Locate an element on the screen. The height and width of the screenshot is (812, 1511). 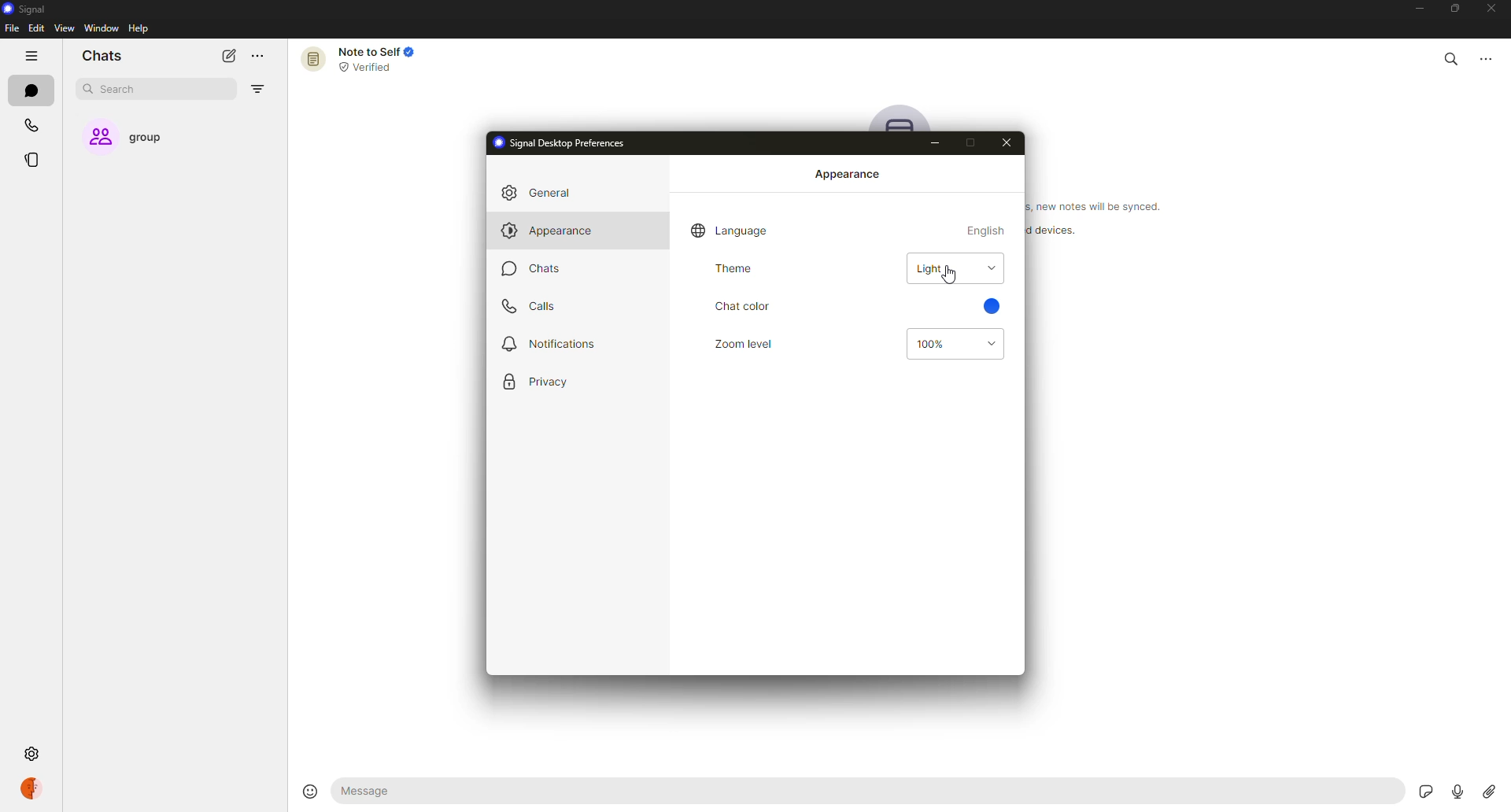
more is located at coordinates (257, 57).